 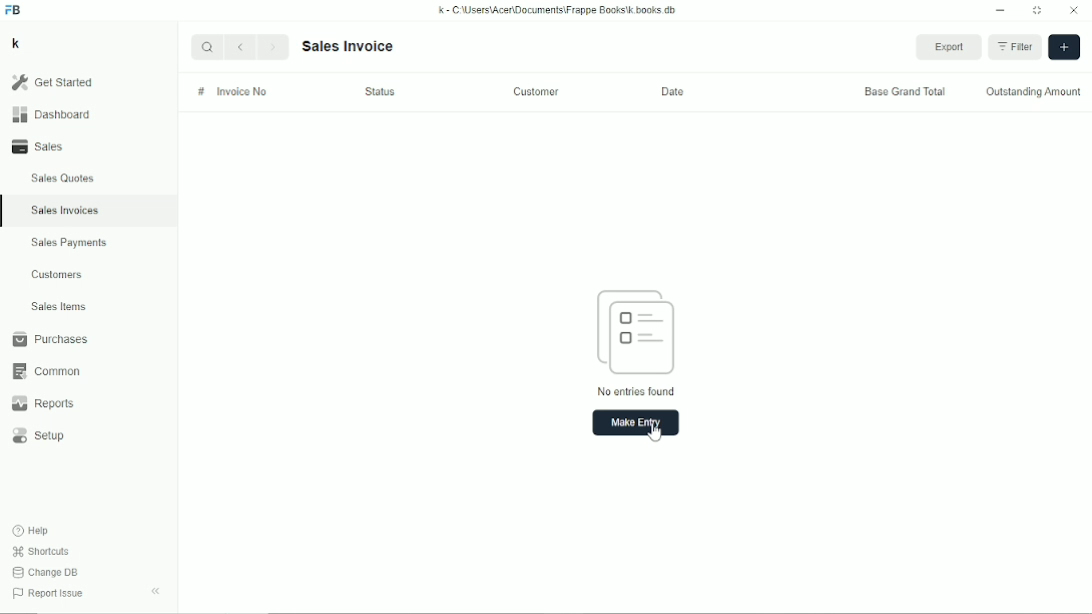 What do you see at coordinates (1064, 46) in the screenshot?
I see `New entry` at bounding box center [1064, 46].